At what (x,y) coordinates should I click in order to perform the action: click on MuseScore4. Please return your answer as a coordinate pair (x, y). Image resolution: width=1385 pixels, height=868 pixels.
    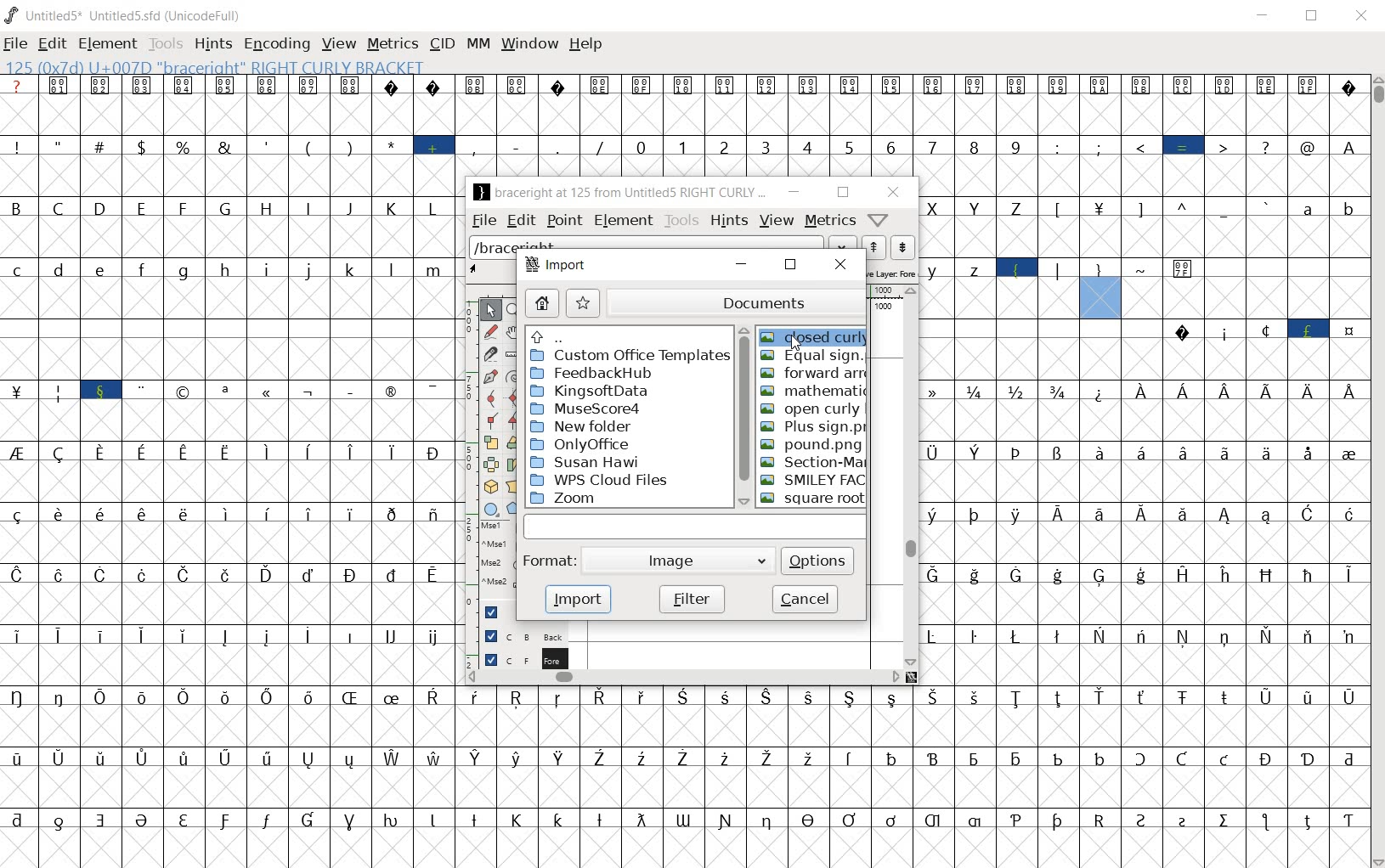
    Looking at the image, I should click on (587, 410).